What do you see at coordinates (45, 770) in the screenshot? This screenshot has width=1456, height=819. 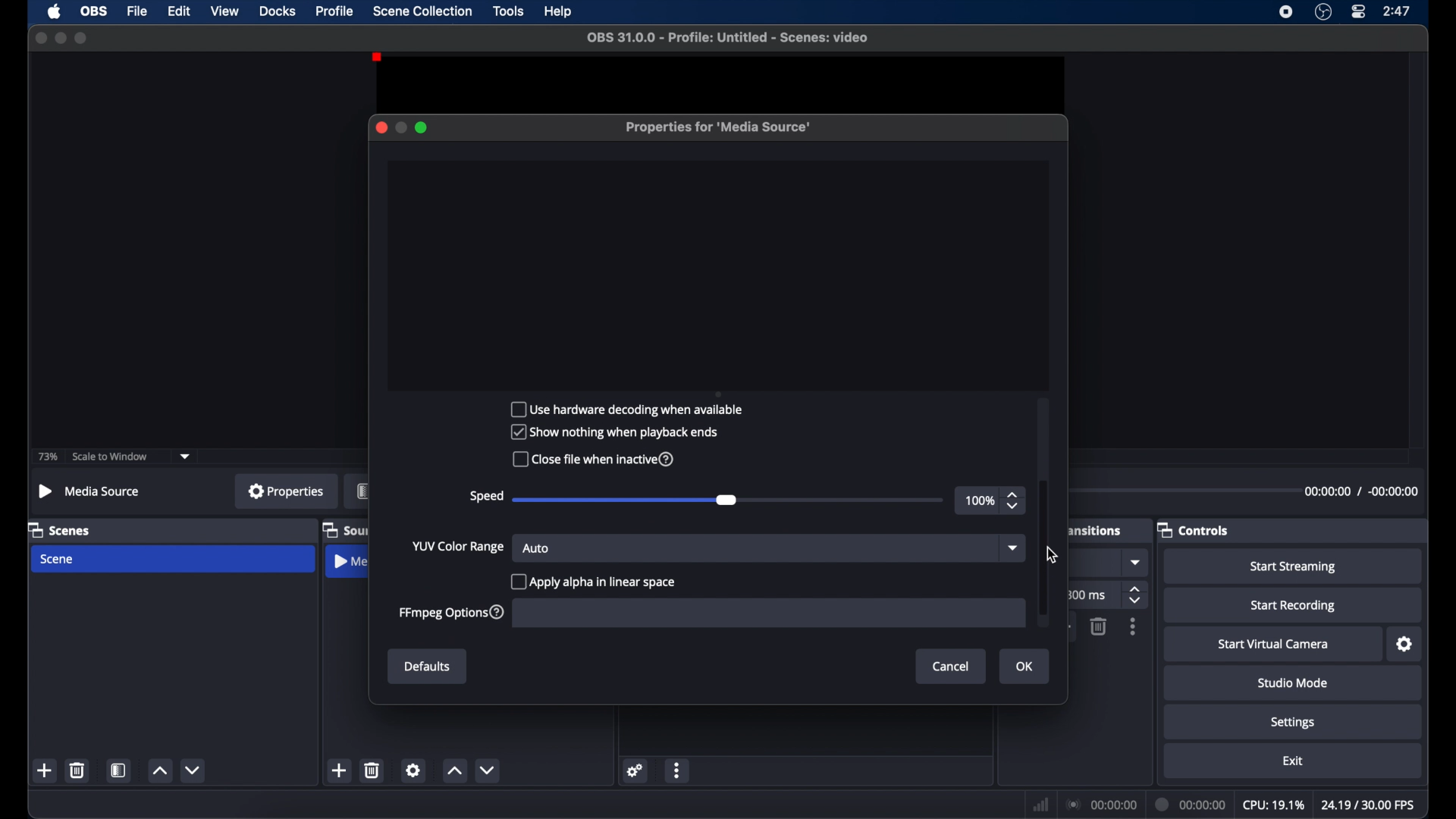 I see `add` at bounding box center [45, 770].